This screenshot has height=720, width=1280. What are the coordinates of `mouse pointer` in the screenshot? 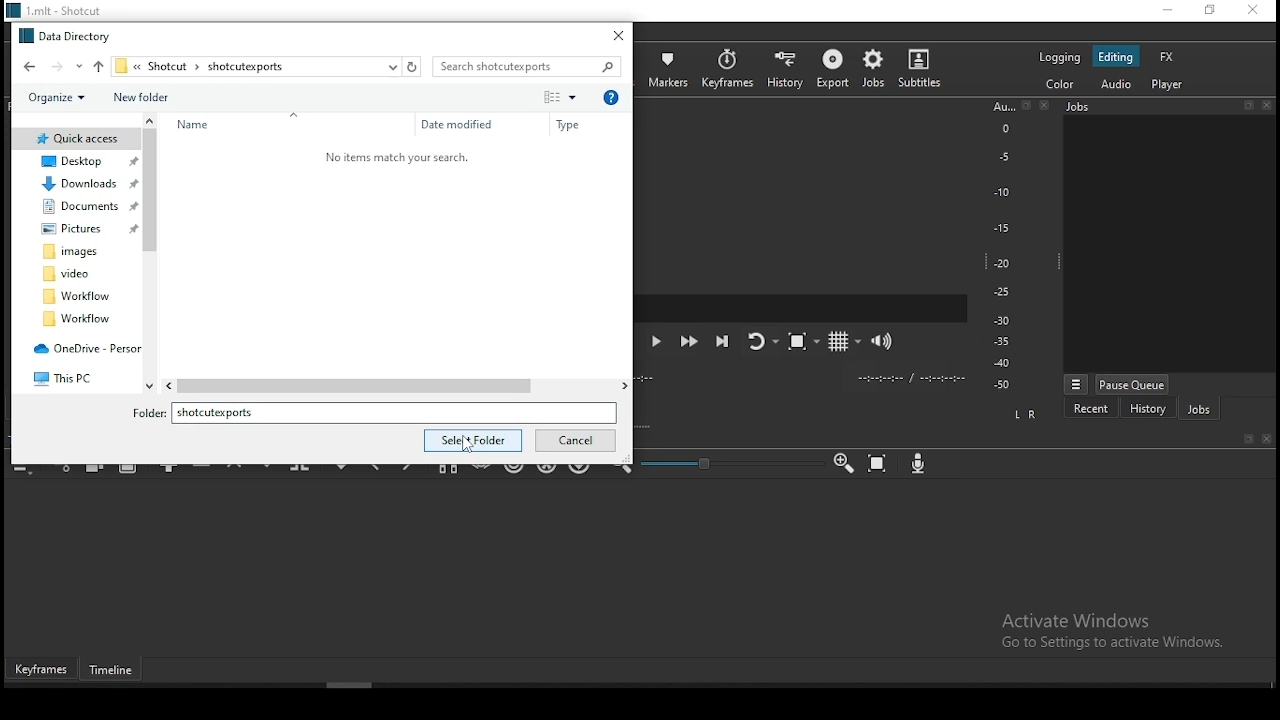 It's located at (465, 441).